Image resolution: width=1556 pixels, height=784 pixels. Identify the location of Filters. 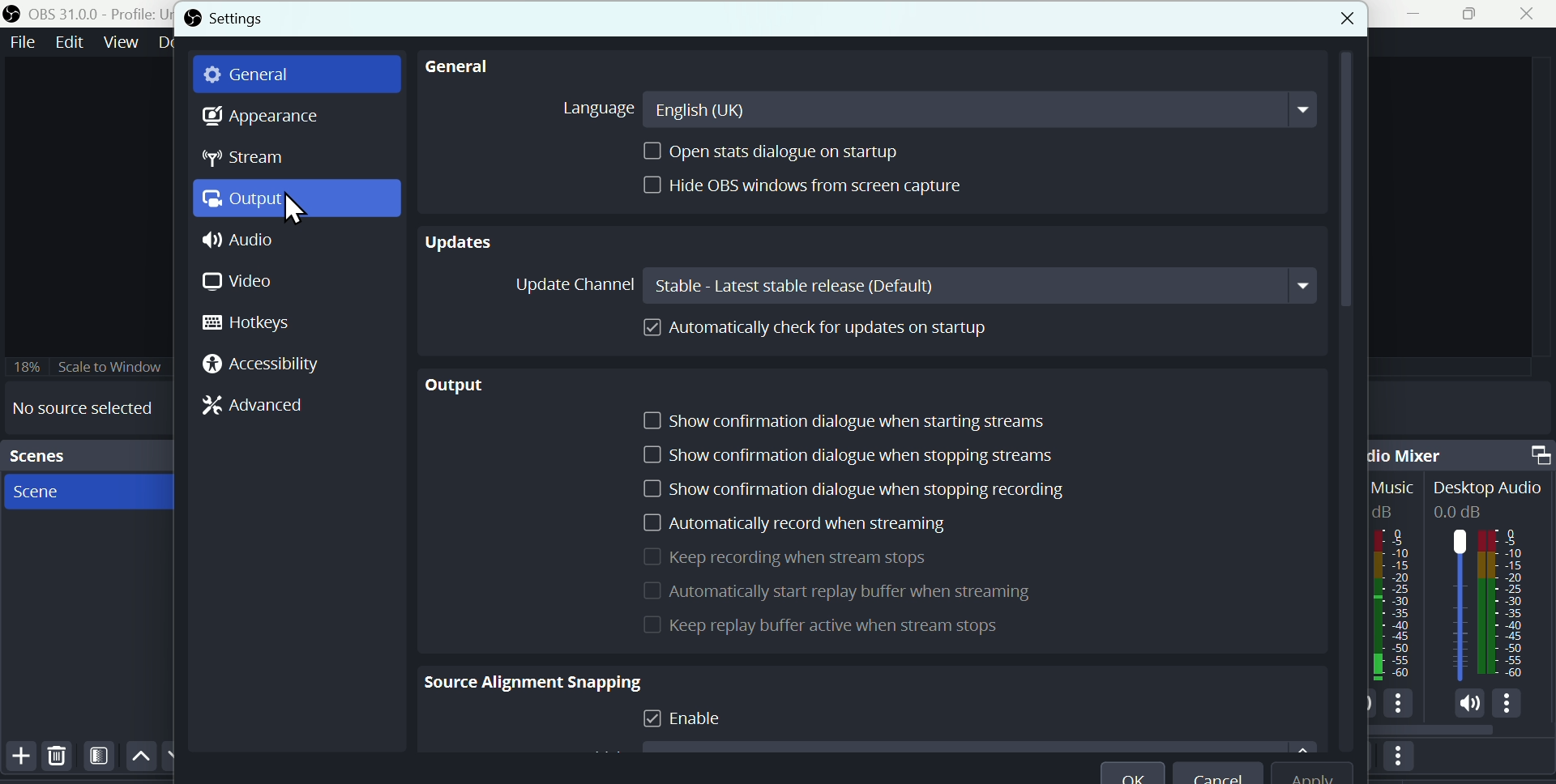
(104, 761).